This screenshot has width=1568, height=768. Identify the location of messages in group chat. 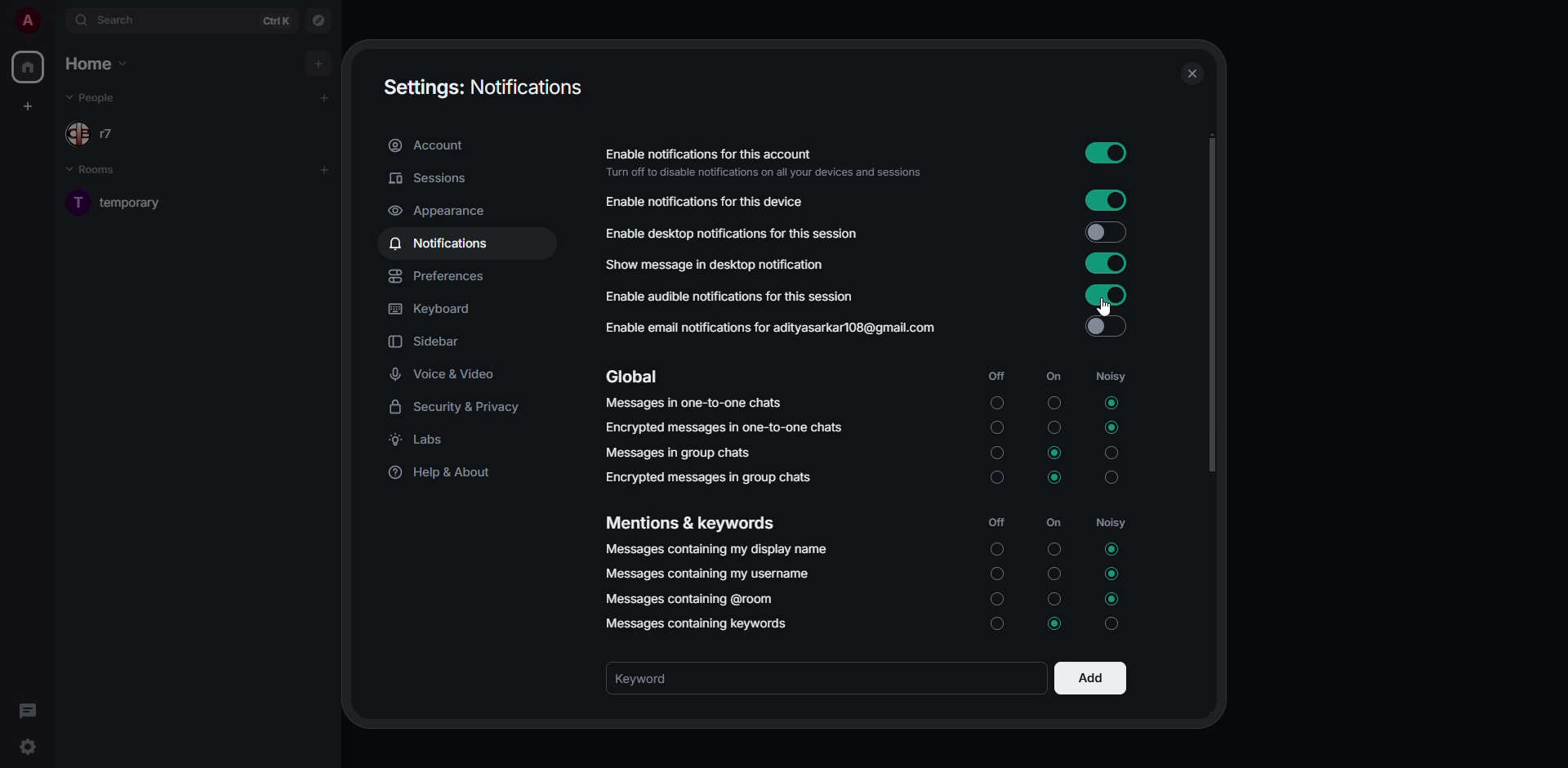
(683, 455).